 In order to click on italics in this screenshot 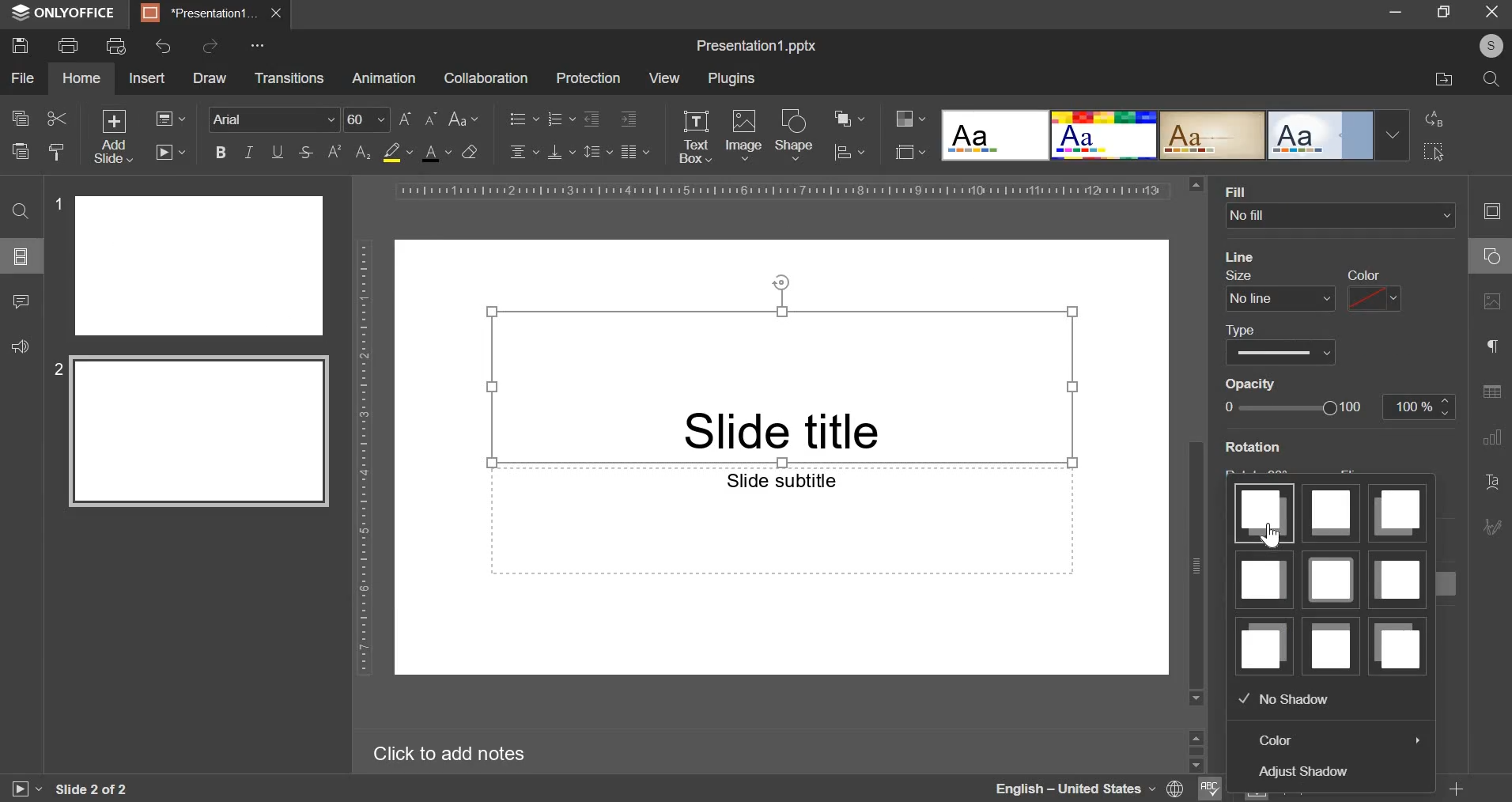, I will do `click(248, 151)`.